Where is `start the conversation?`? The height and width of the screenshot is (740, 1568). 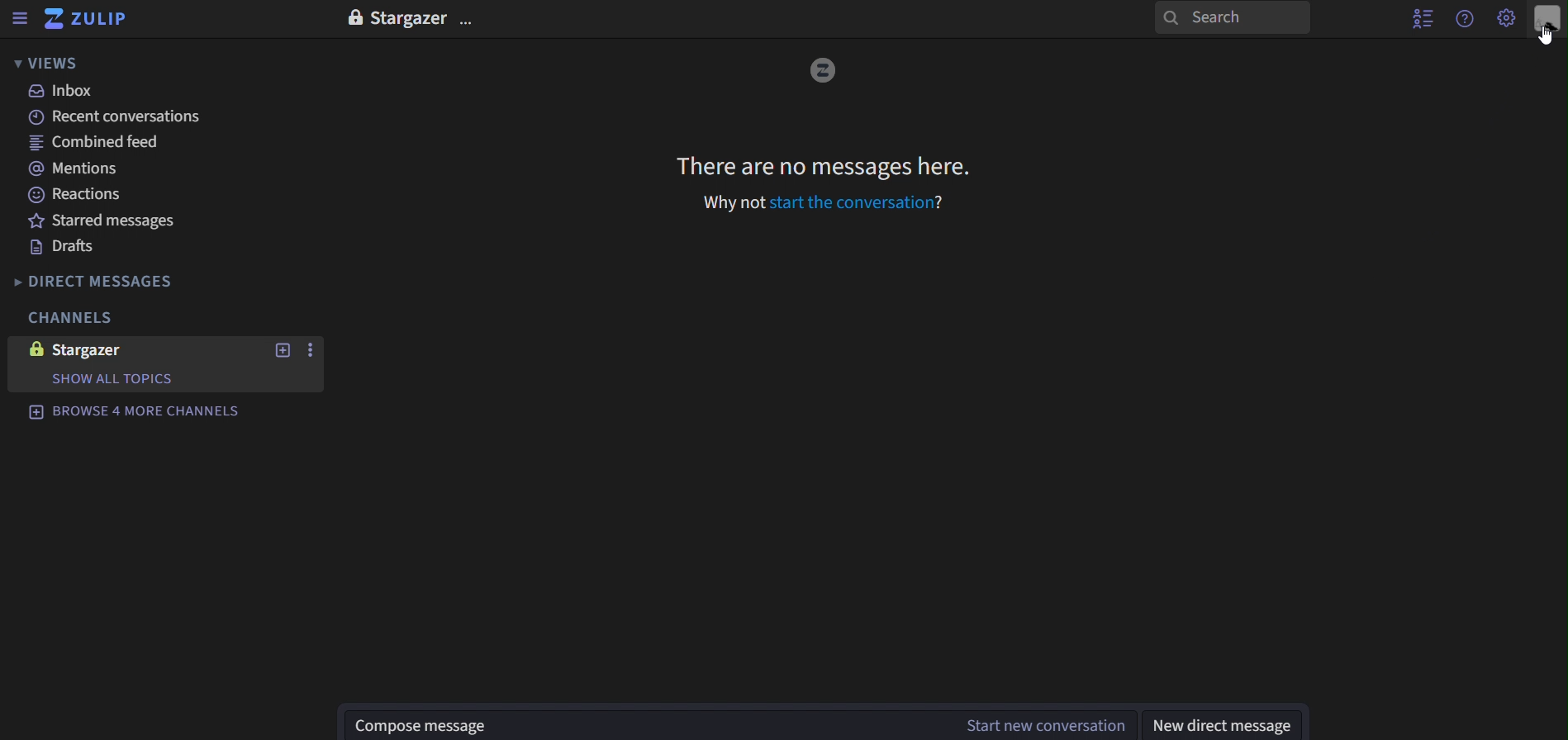 start the conversation? is located at coordinates (860, 203).